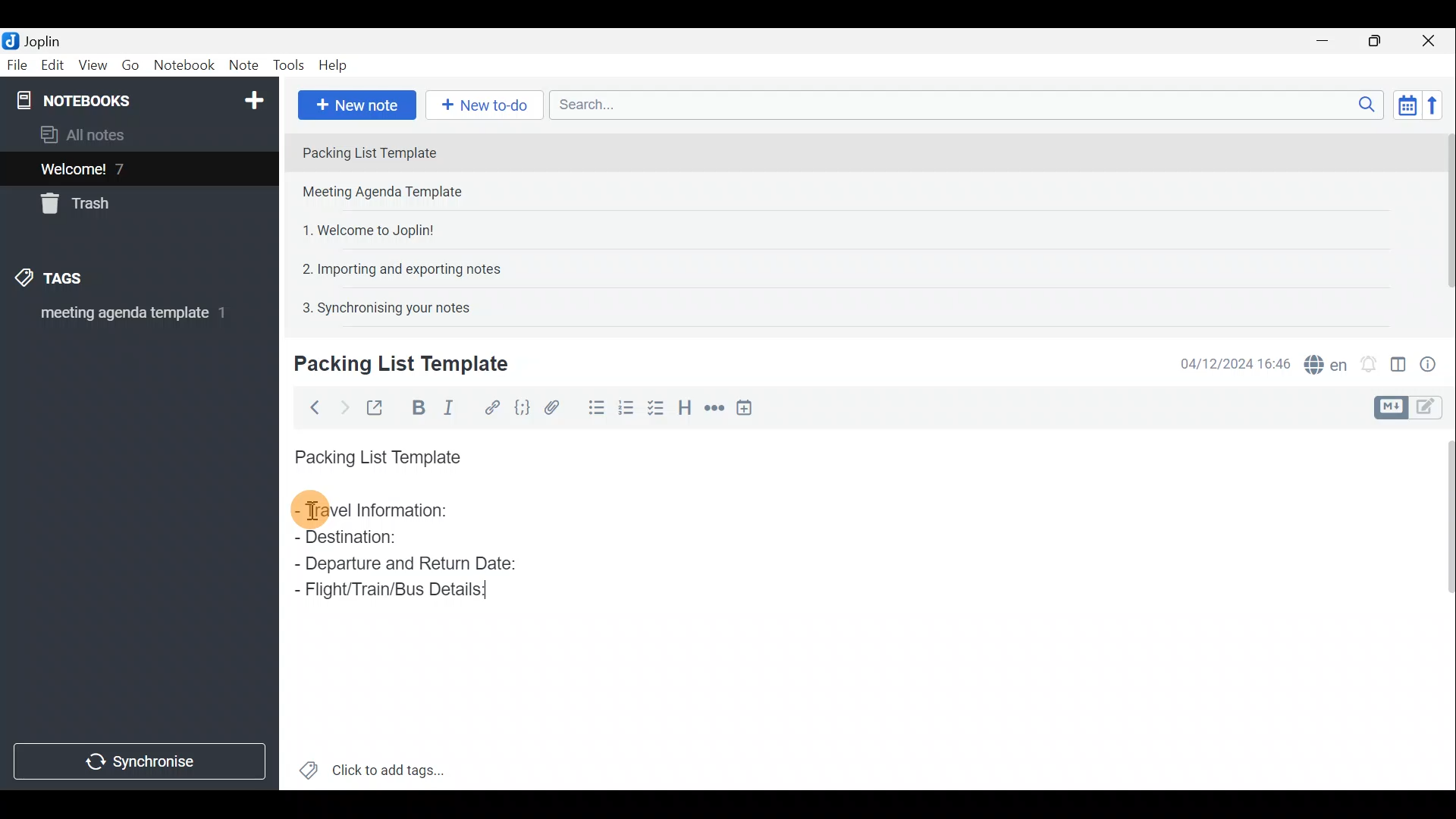 This screenshot has height=819, width=1456. Describe the element at coordinates (335, 67) in the screenshot. I see `Help` at that location.